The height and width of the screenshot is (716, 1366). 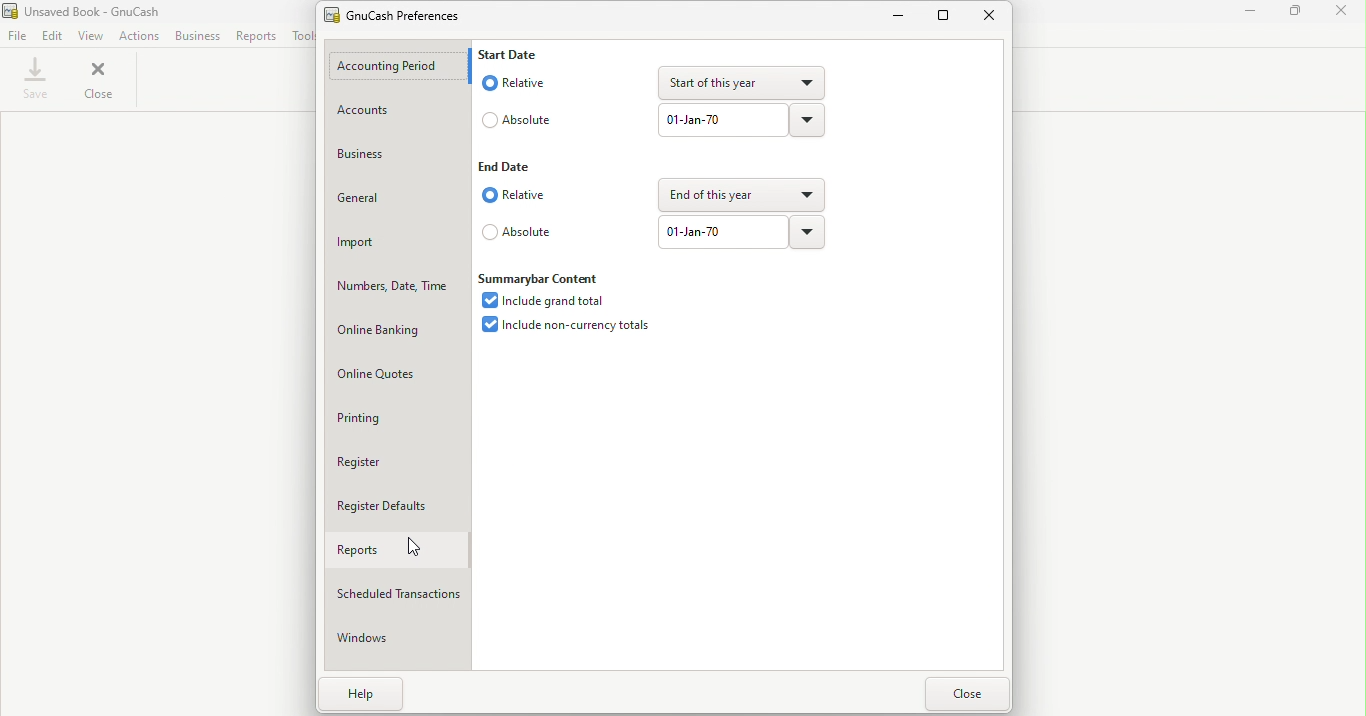 I want to click on Online Quotes, so click(x=393, y=376).